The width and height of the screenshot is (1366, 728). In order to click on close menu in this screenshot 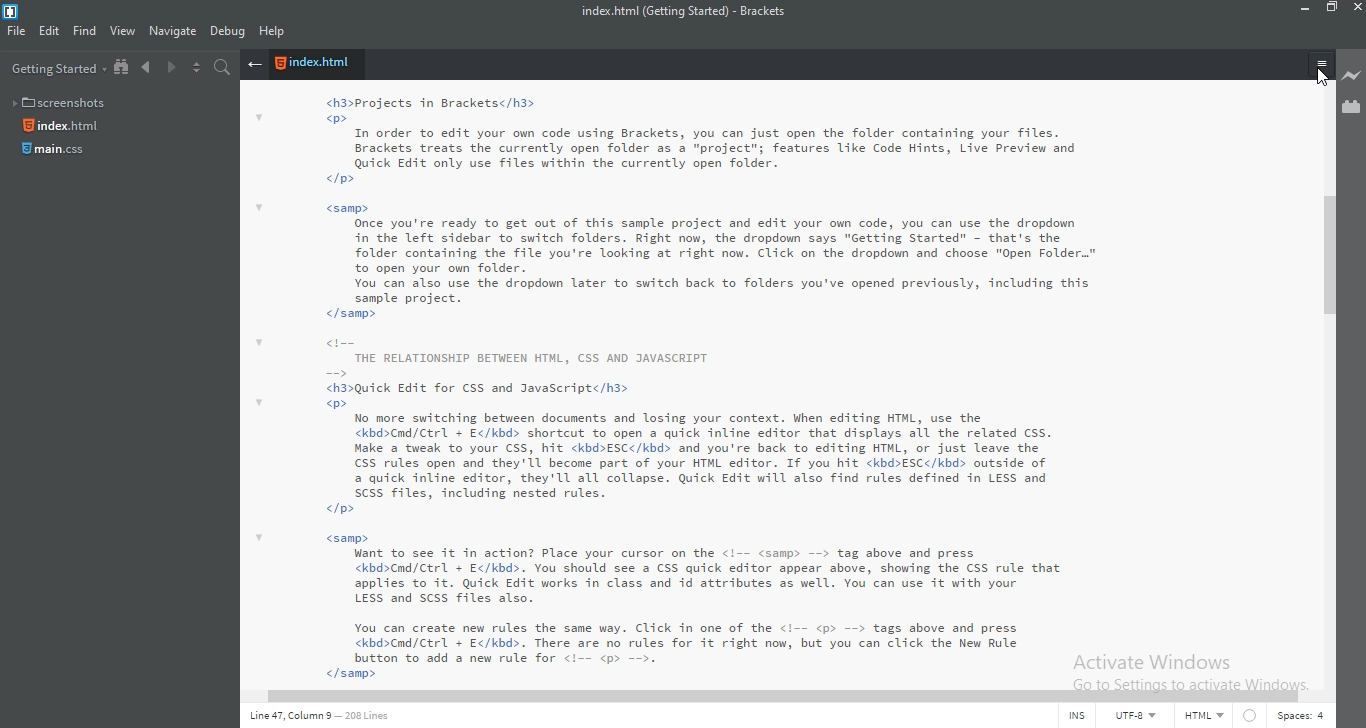, I will do `click(254, 65)`.